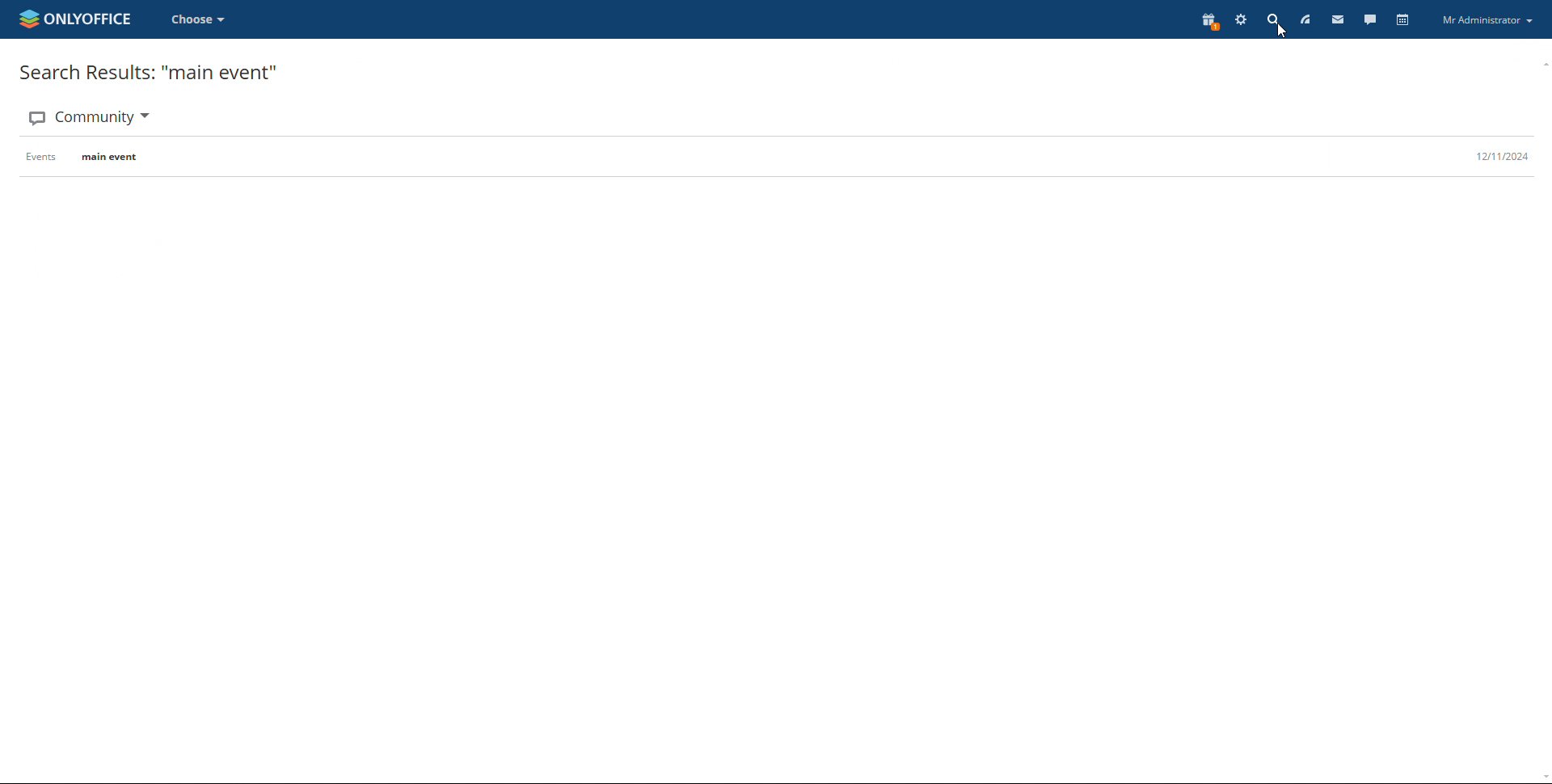  What do you see at coordinates (1336, 19) in the screenshot?
I see `mail` at bounding box center [1336, 19].